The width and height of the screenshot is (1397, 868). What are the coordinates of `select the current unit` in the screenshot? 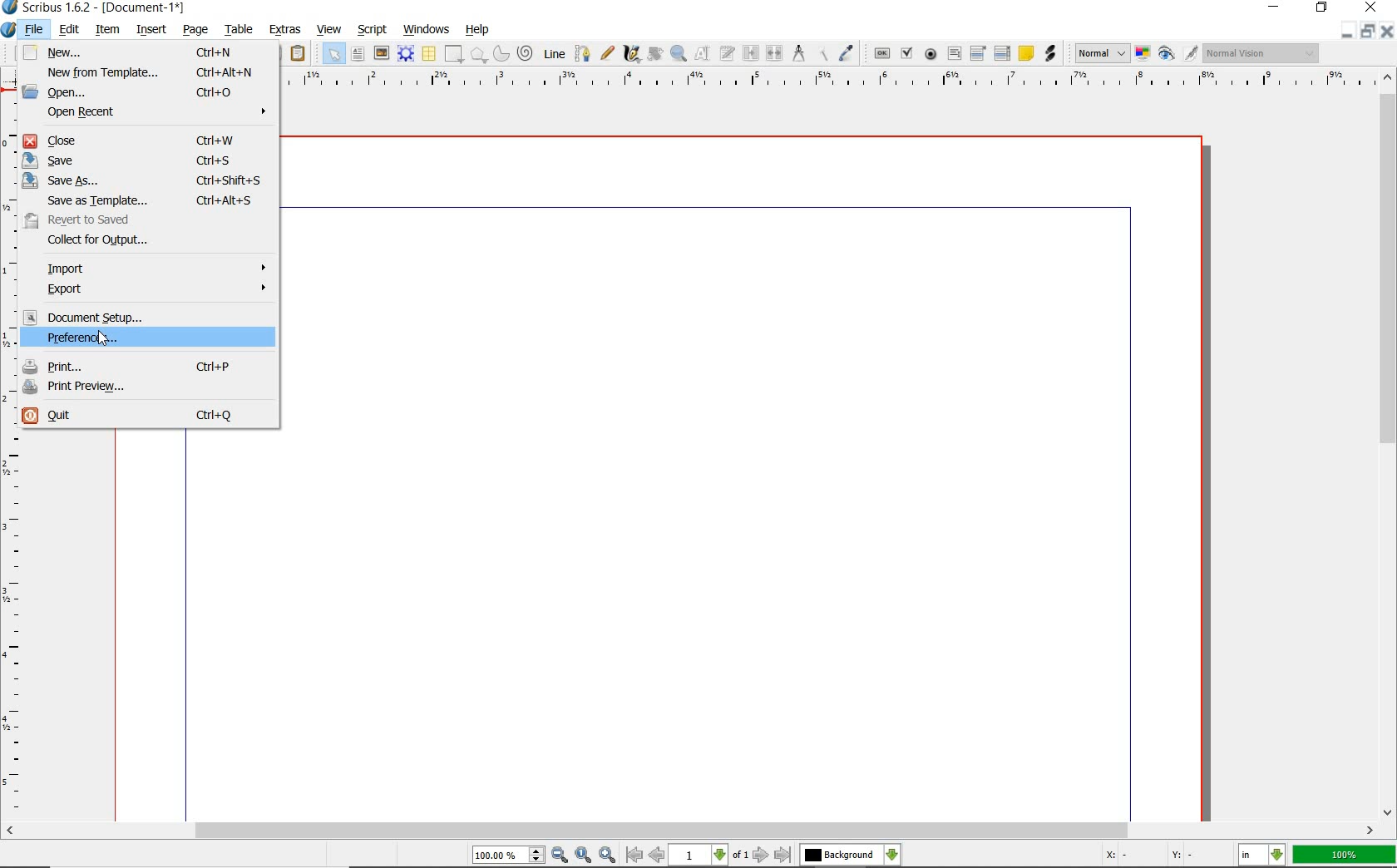 It's located at (1263, 856).